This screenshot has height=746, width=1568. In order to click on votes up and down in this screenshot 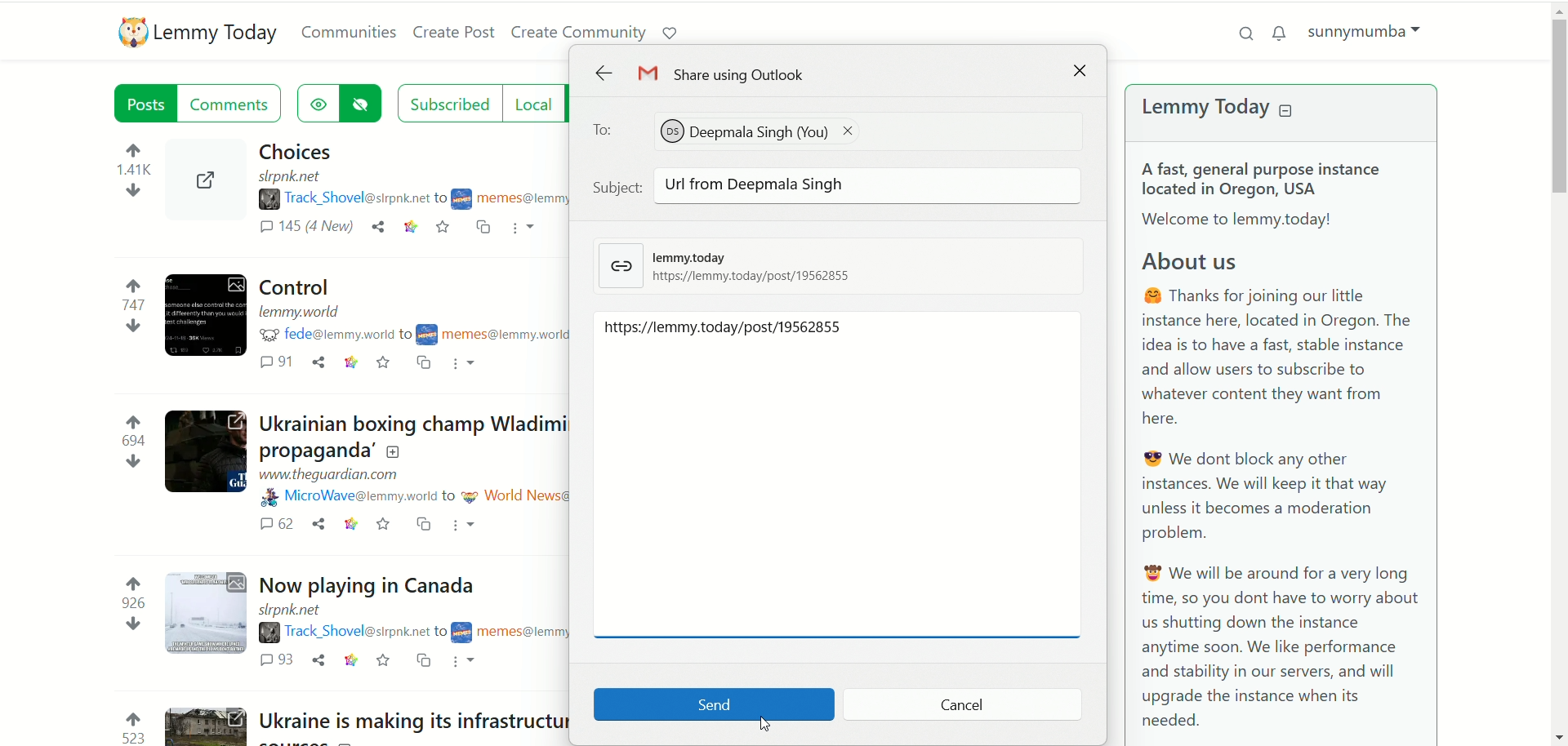, I will do `click(127, 303)`.